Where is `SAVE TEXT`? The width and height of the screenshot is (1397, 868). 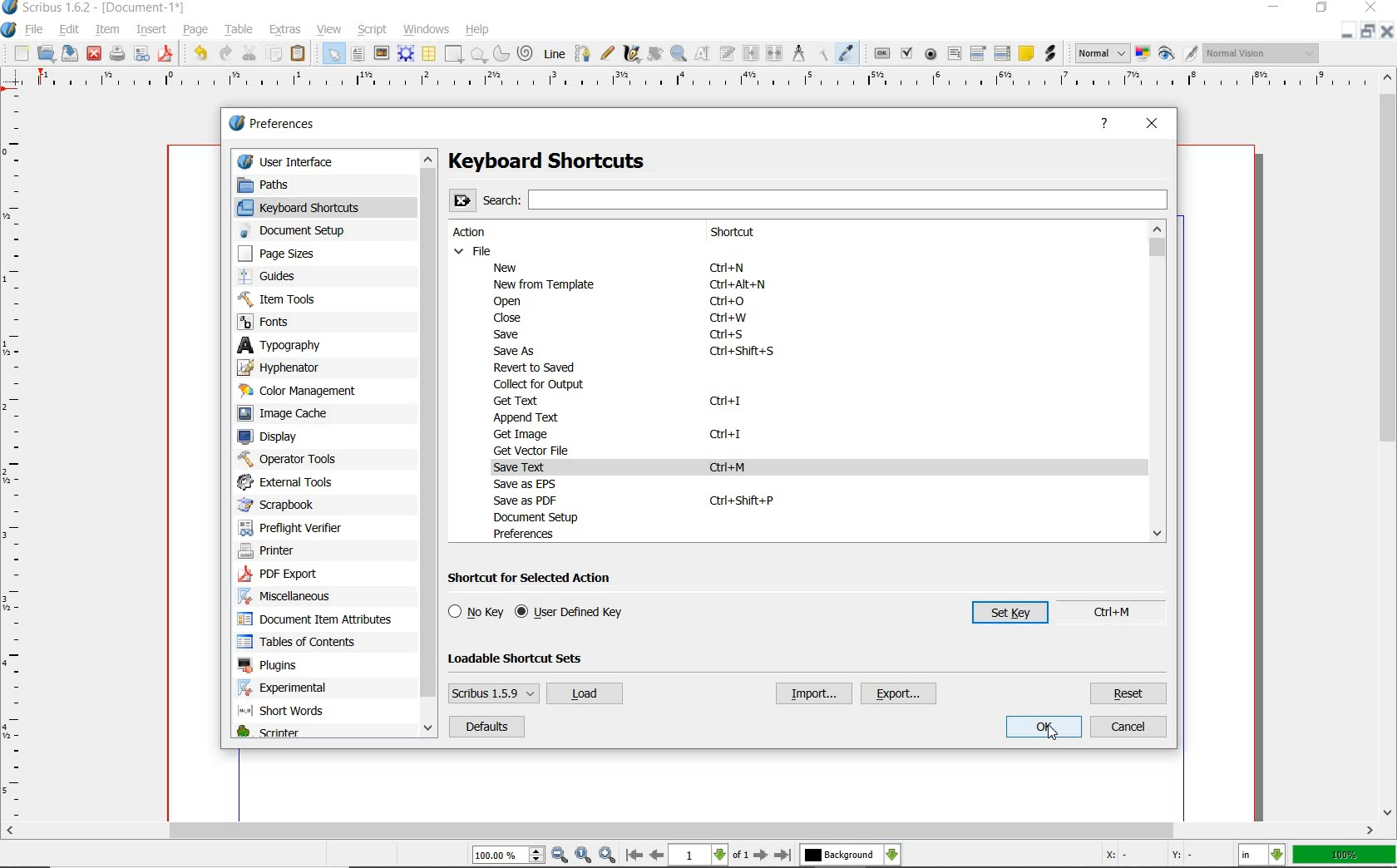 SAVE TEXT is located at coordinates (531, 467).